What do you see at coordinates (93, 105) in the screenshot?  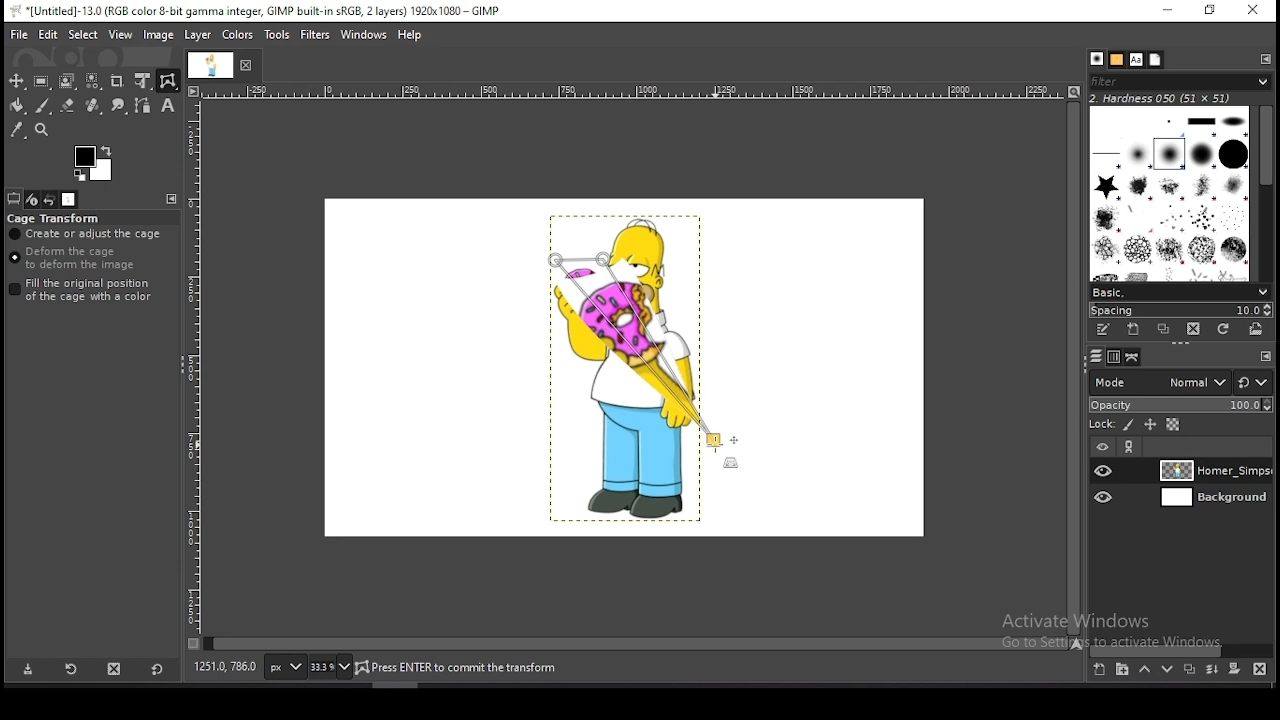 I see `healing tool` at bounding box center [93, 105].